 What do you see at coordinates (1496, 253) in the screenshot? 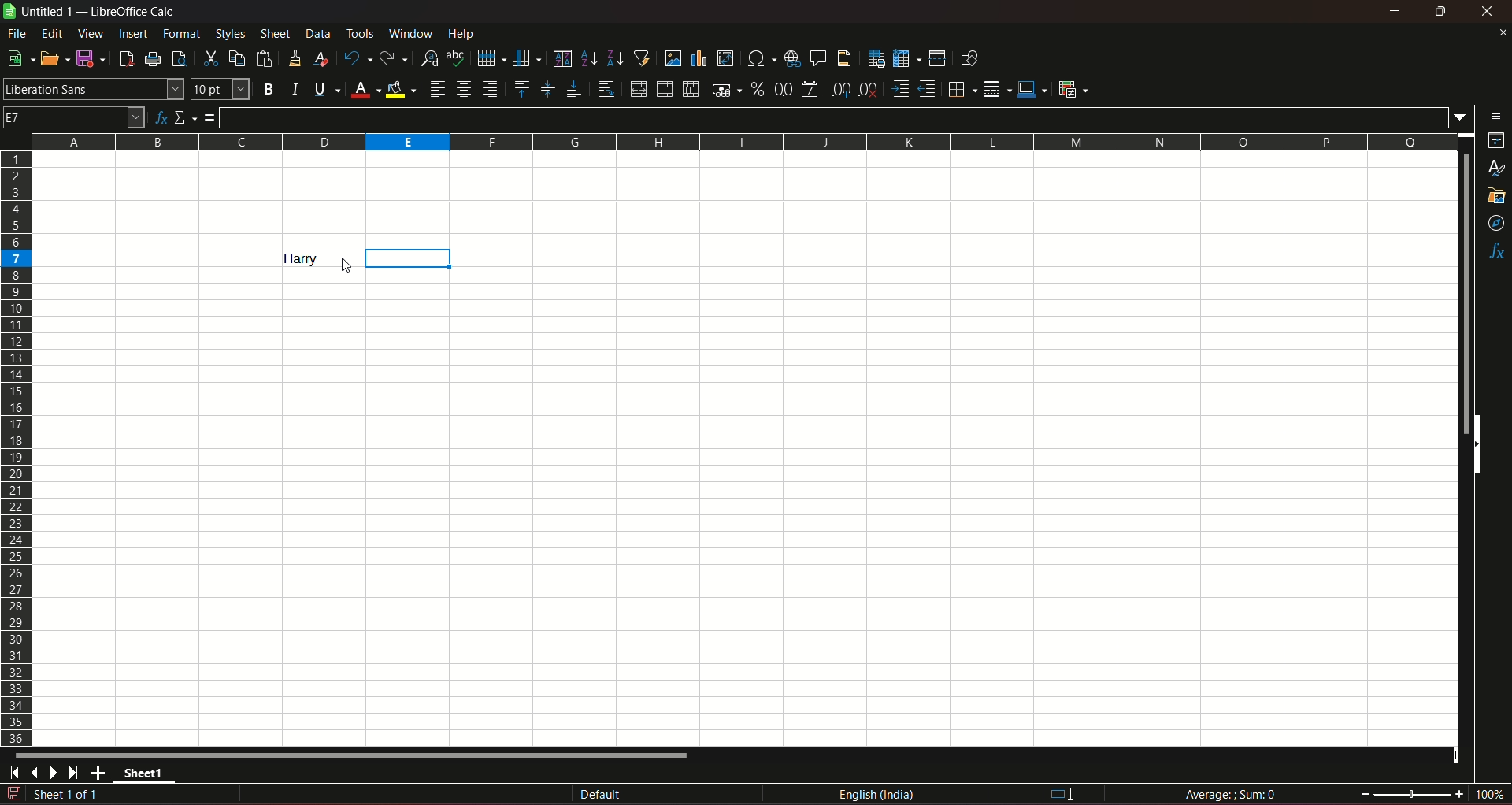
I see `functions` at bounding box center [1496, 253].